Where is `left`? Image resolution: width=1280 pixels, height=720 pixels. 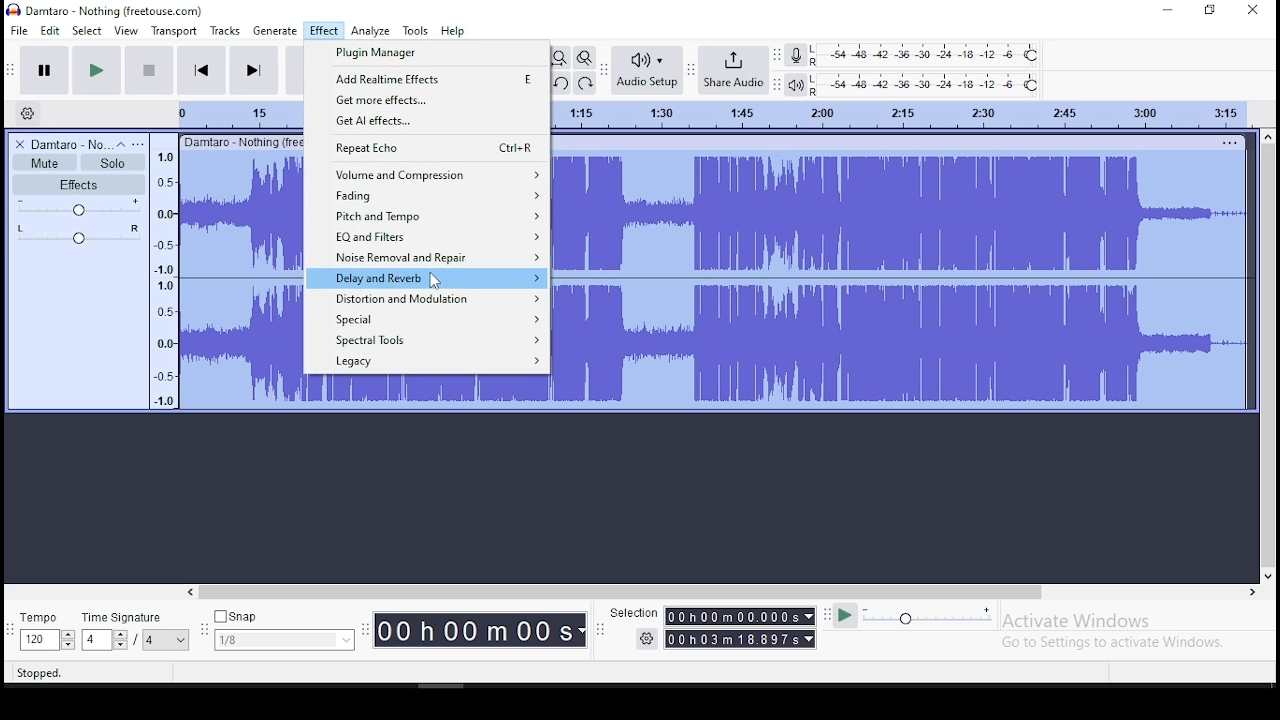
left is located at coordinates (193, 592).